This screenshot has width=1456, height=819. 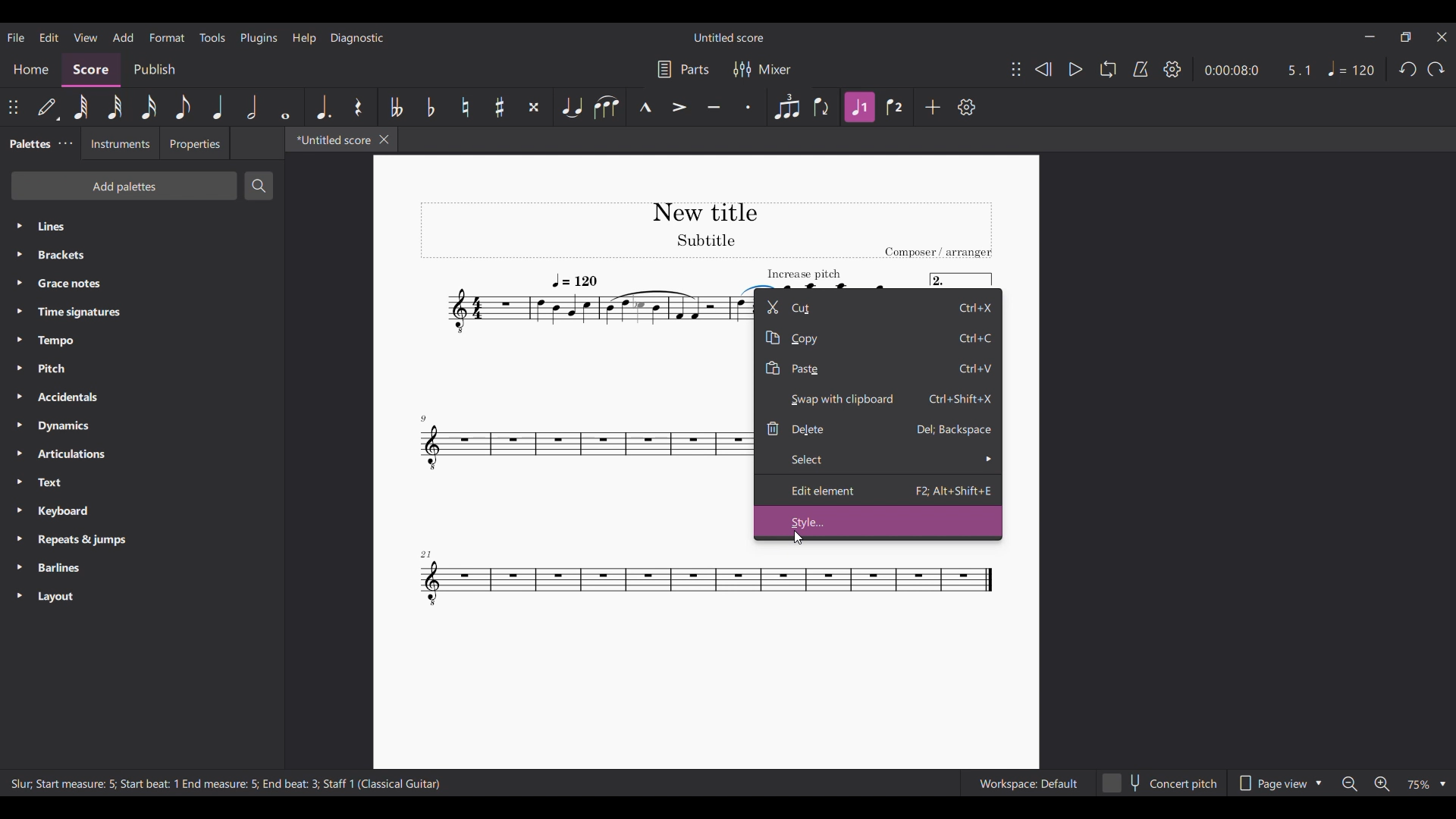 What do you see at coordinates (218, 107) in the screenshot?
I see `Quater note` at bounding box center [218, 107].